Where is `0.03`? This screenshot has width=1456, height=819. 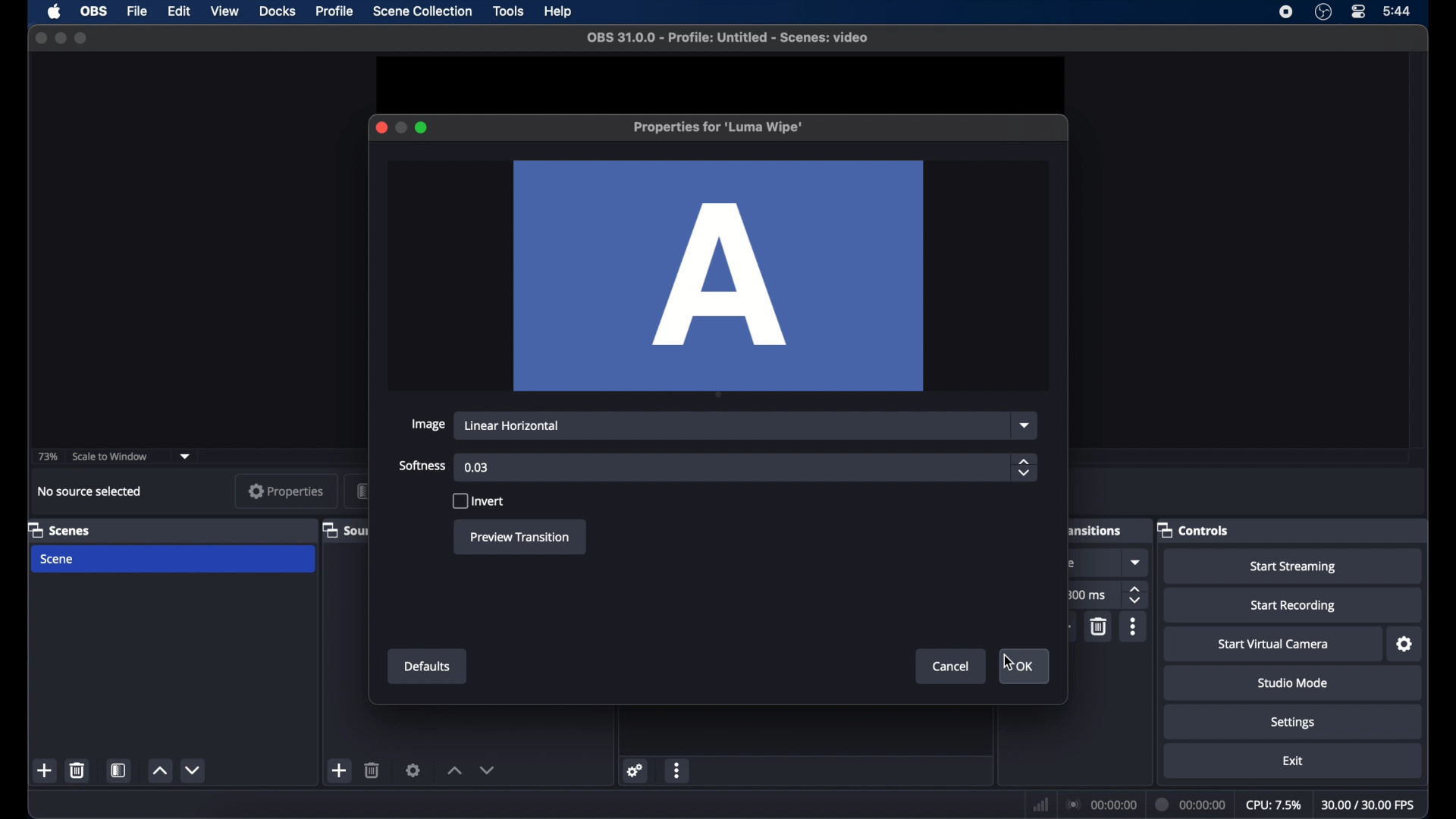
0.03 is located at coordinates (476, 468).